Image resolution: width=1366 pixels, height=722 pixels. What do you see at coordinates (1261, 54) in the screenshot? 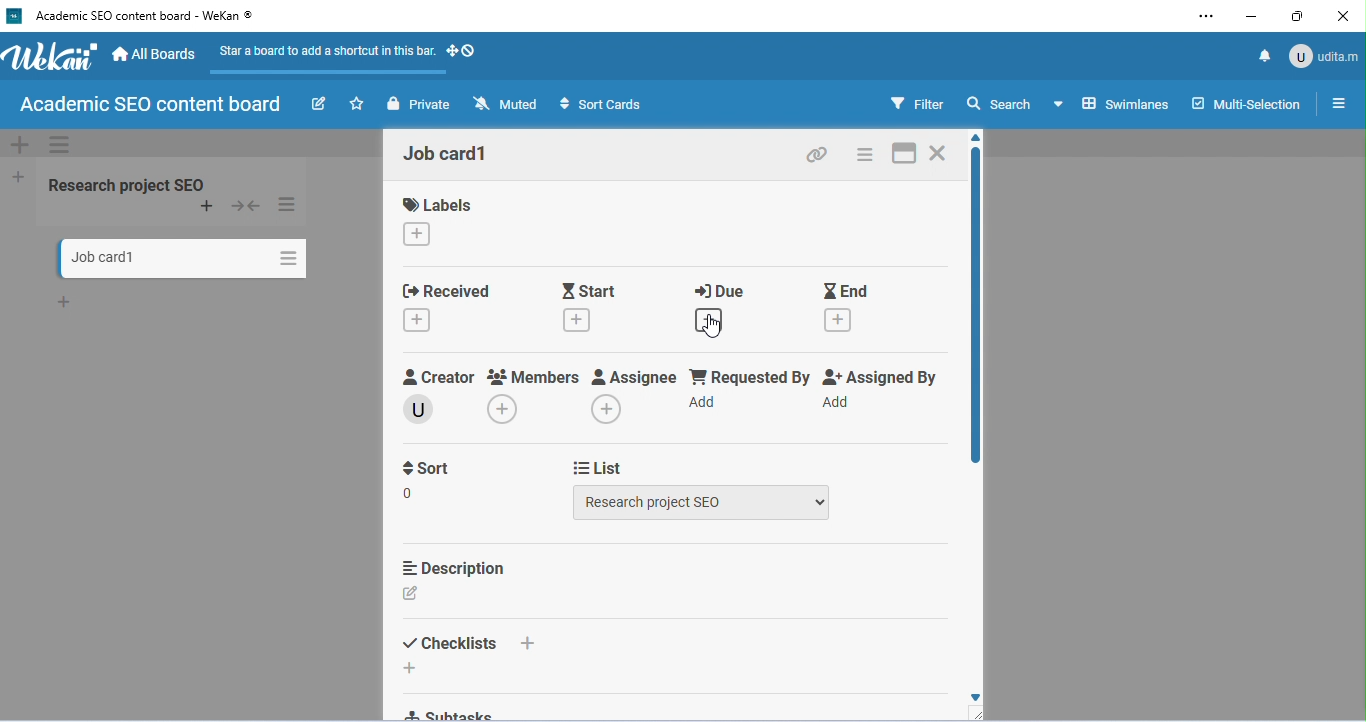
I see `notification` at bounding box center [1261, 54].